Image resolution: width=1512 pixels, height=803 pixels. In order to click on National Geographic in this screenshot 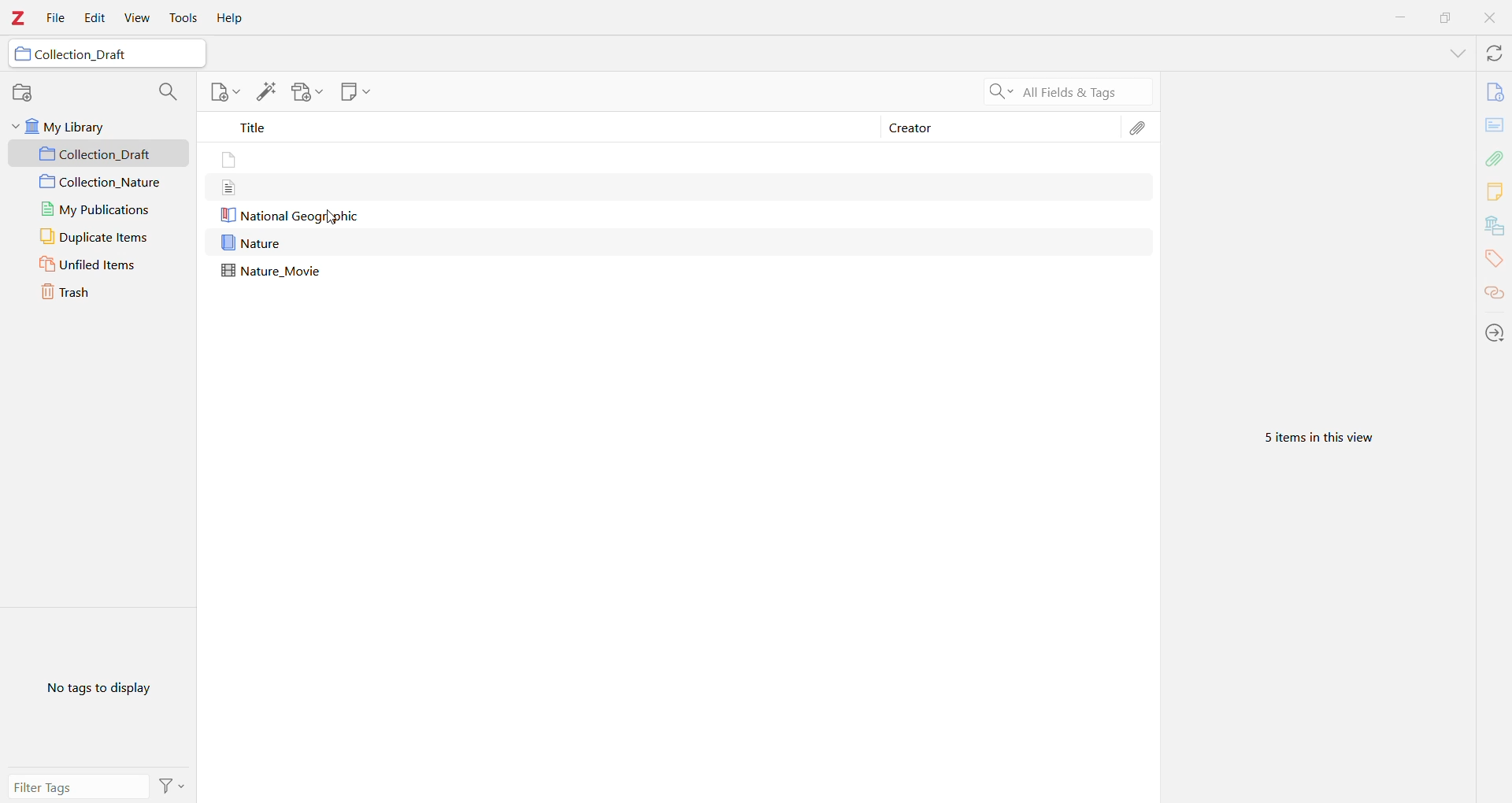, I will do `click(290, 216)`.